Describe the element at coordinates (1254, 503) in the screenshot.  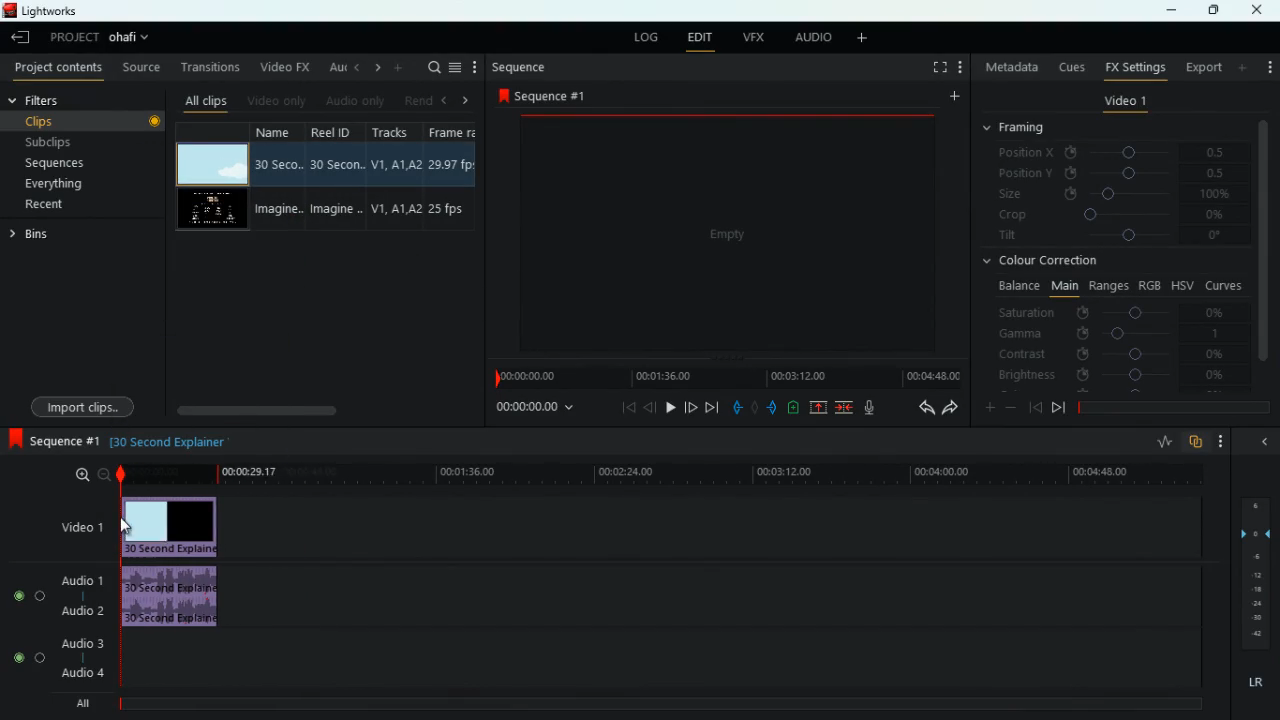
I see `6 (layer)` at that location.